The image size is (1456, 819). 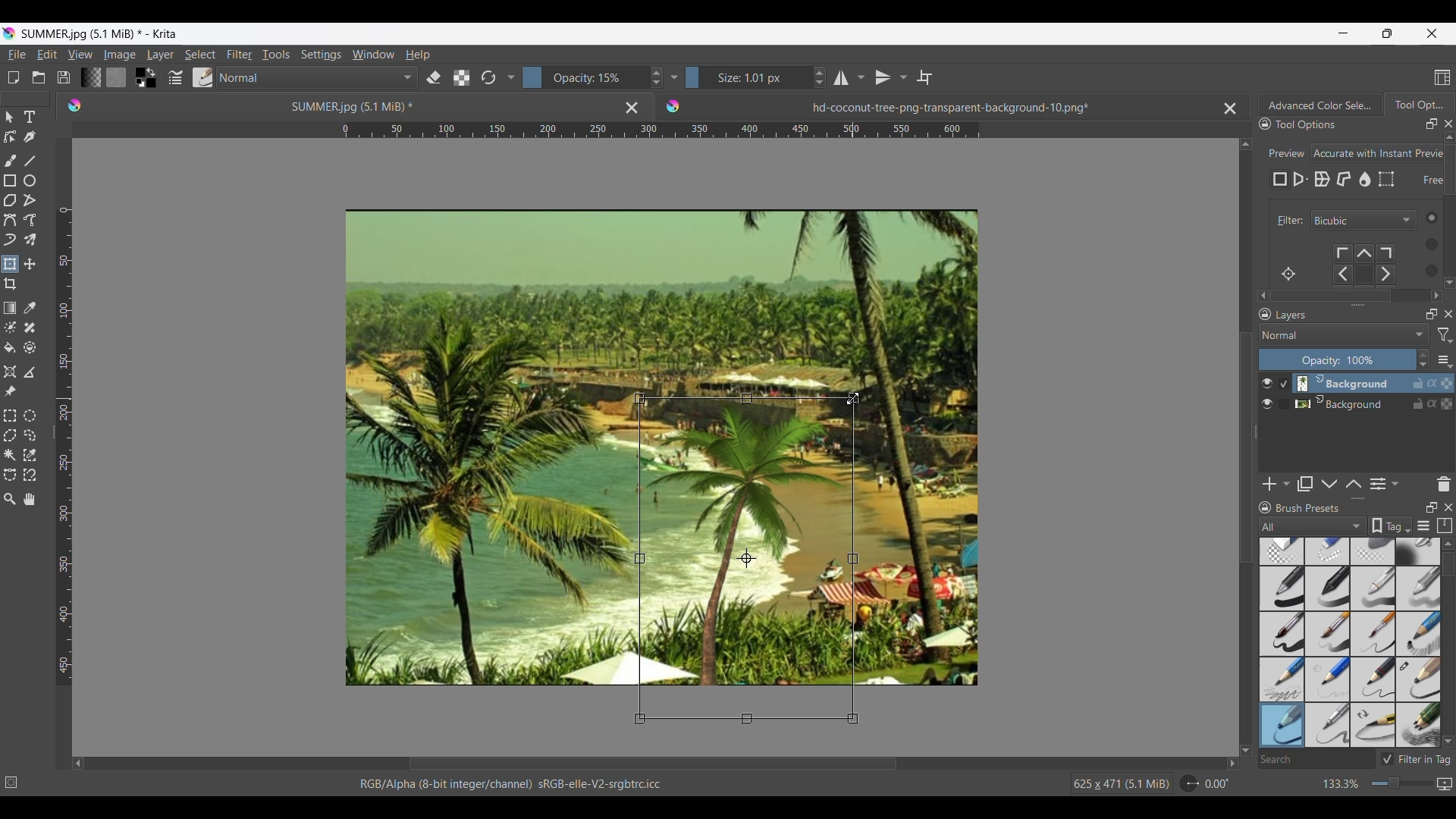 I want to click on Expand/Collapse, so click(x=1257, y=432).